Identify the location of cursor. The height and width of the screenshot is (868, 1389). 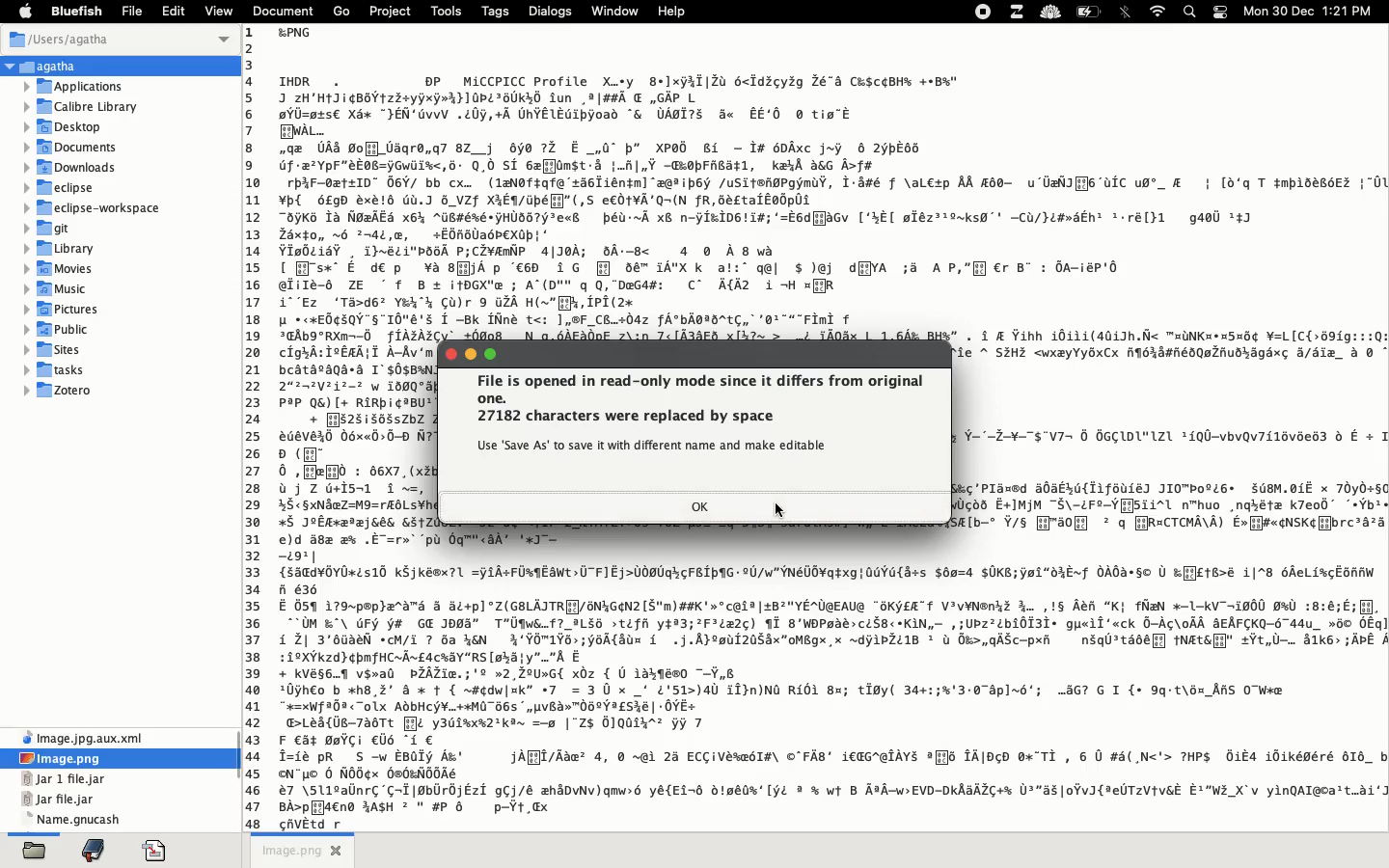
(779, 512).